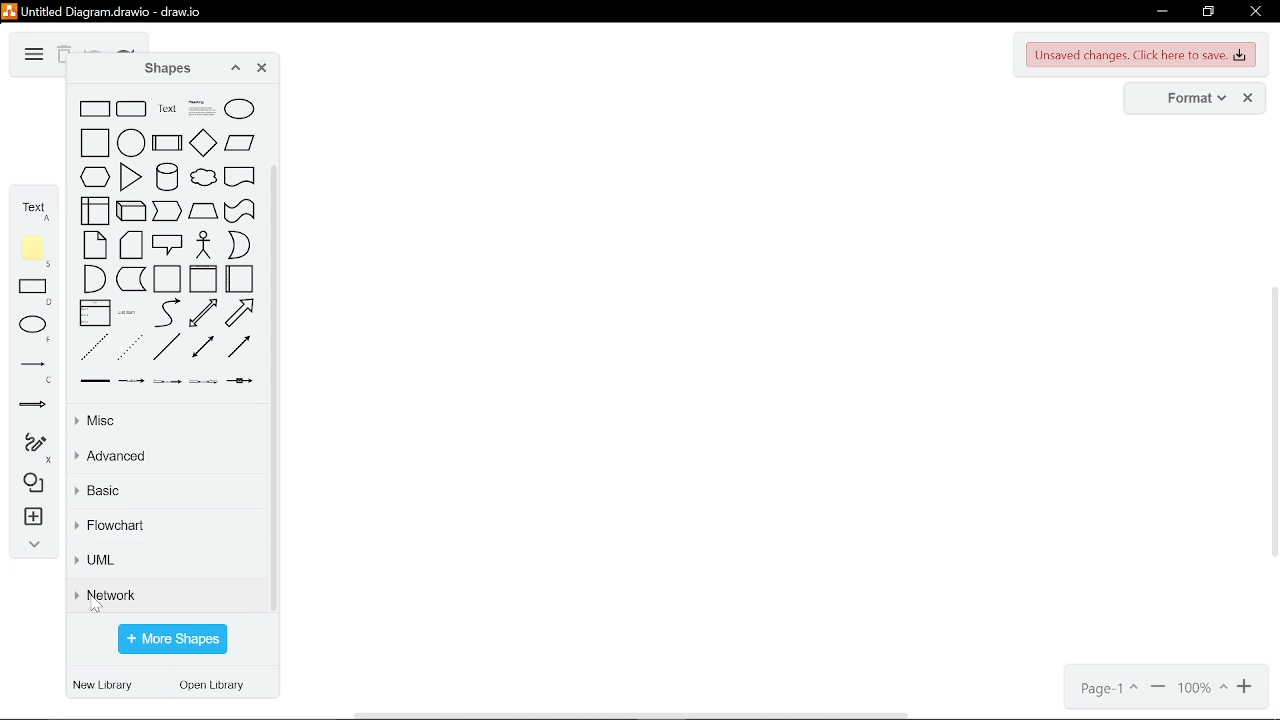 This screenshot has width=1280, height=720. I want to click on process, so click(167, 142).